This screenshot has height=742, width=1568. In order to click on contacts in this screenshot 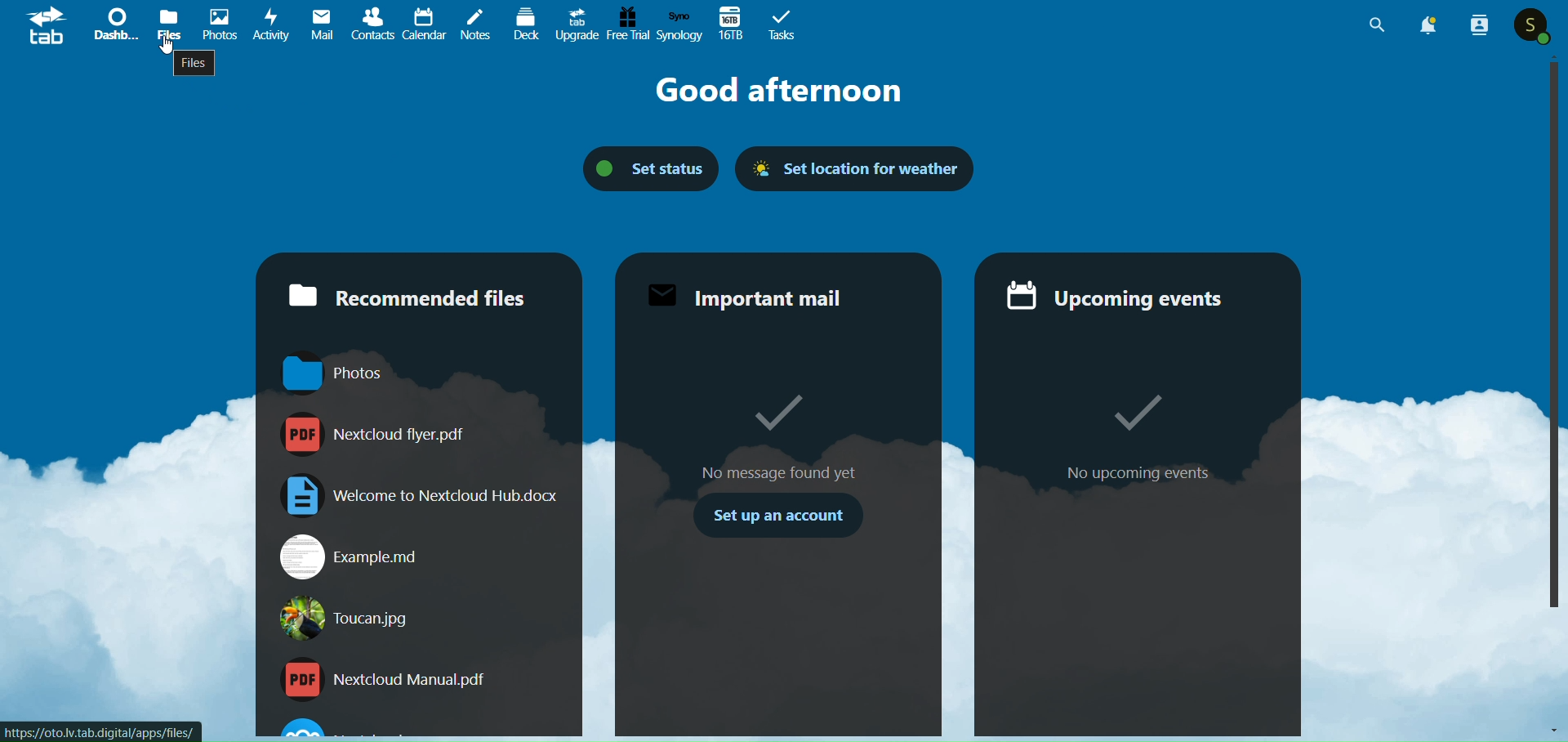, I will do `click(372, 25)`.